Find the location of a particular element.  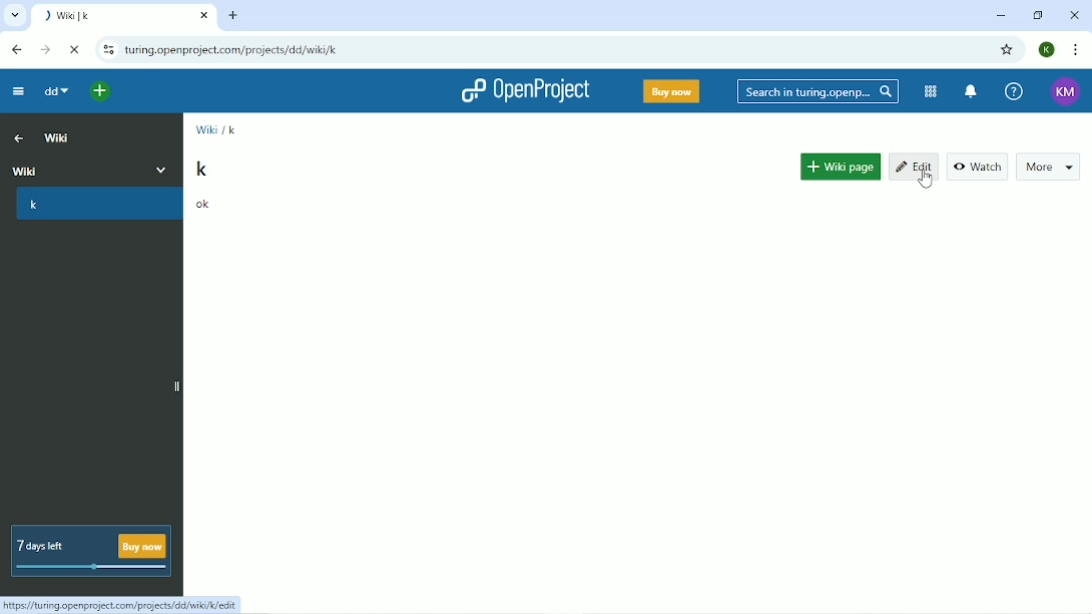

k is located at coordinates (34, 206).